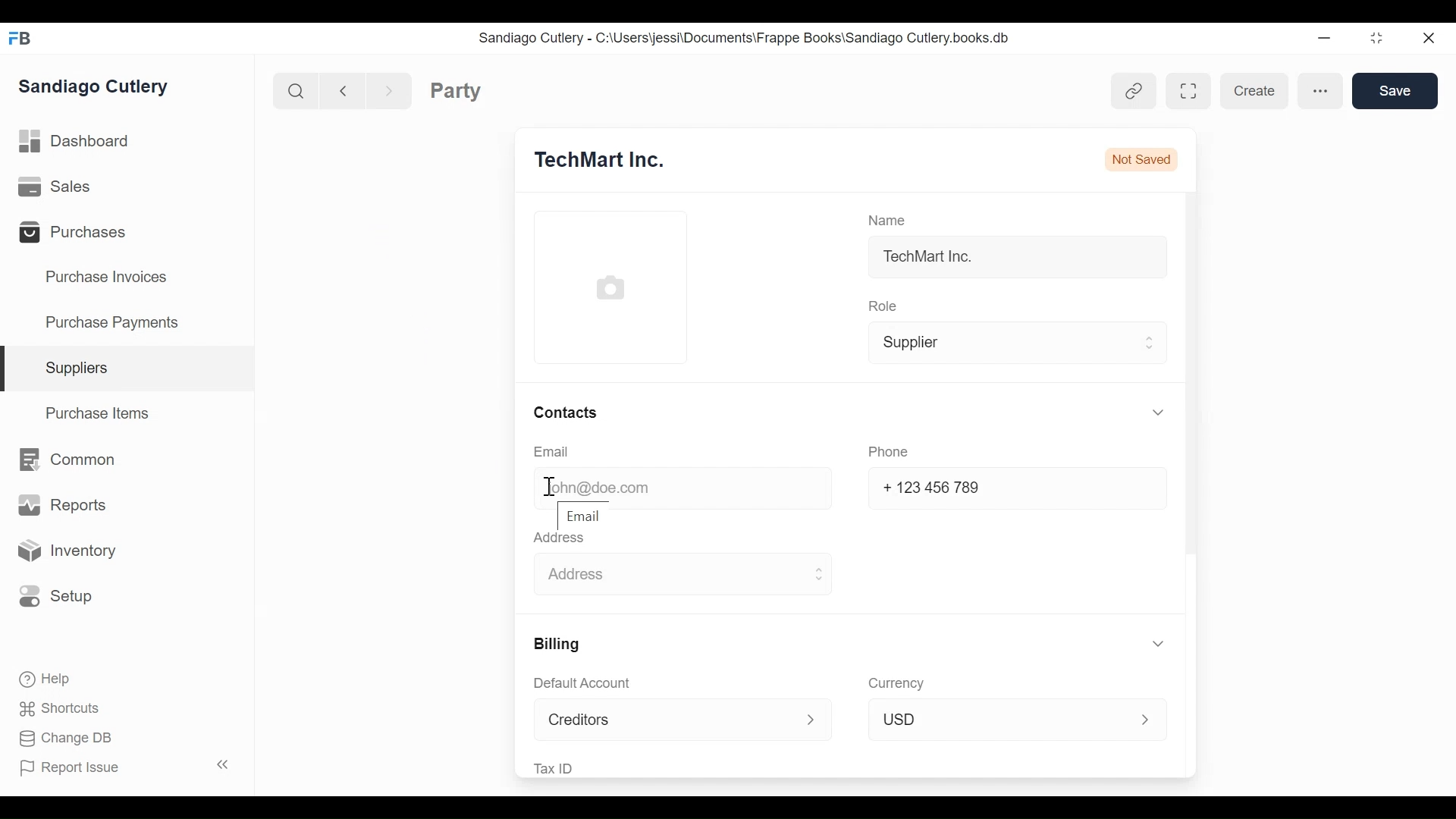  What do you see at coordinates (1141, 154) in the screenshot?
I see `Not Saved` at bounding box center [1141, 154].